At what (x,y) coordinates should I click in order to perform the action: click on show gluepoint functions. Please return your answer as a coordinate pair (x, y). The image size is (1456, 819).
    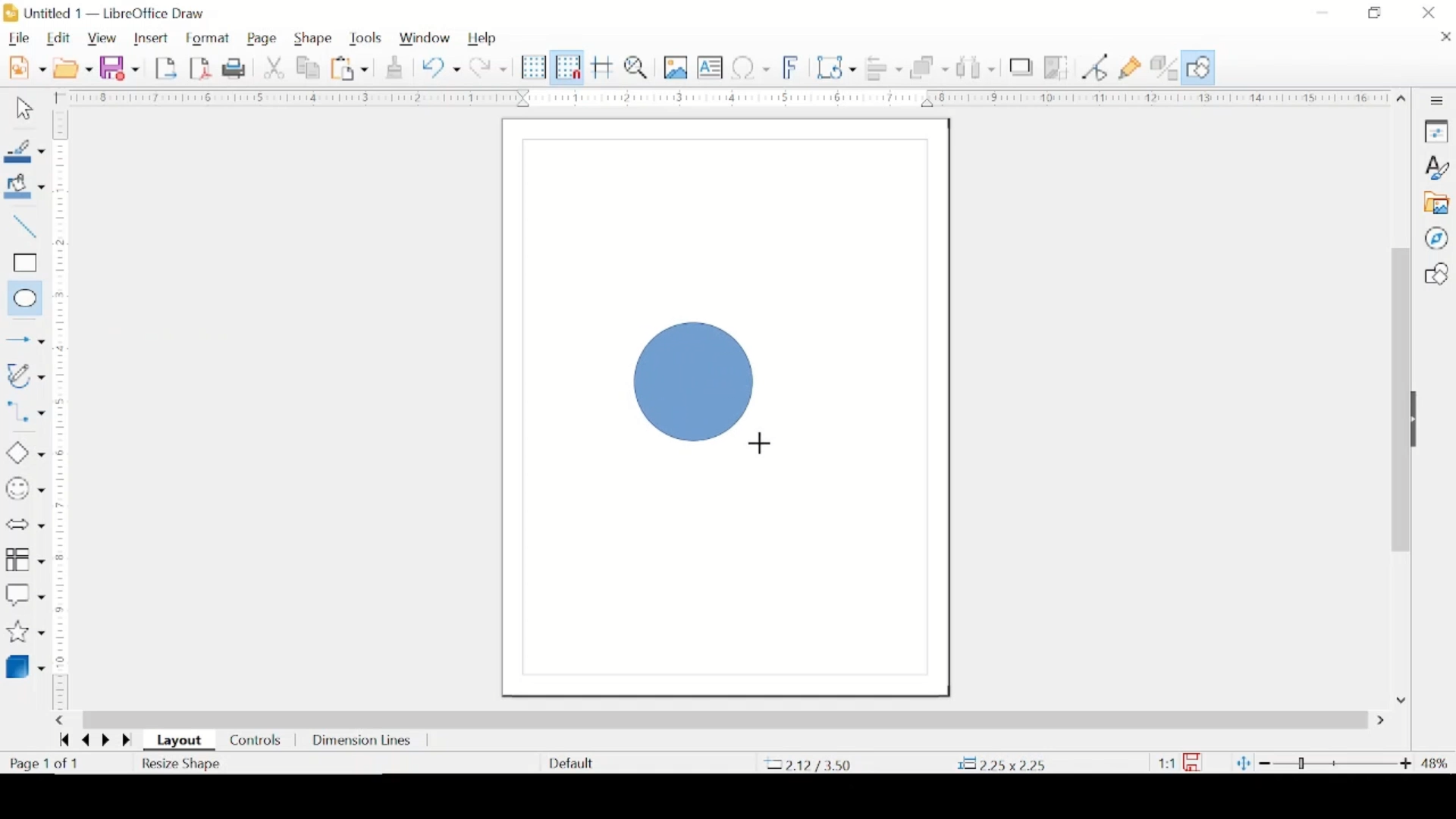
    Looking at the image, I should click on (1131, 67).